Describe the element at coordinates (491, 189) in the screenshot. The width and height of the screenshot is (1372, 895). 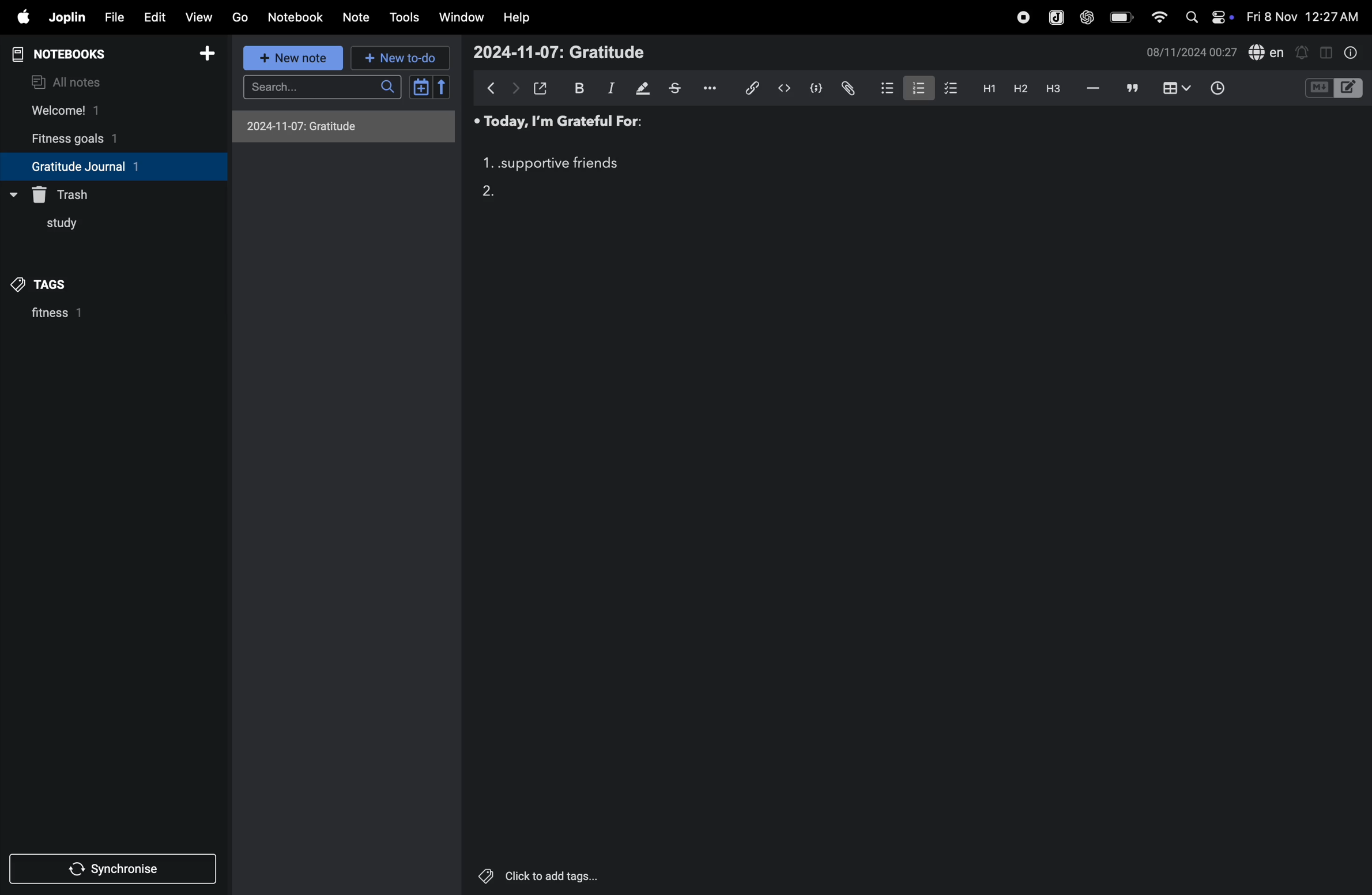
I see `2. ` at that location.